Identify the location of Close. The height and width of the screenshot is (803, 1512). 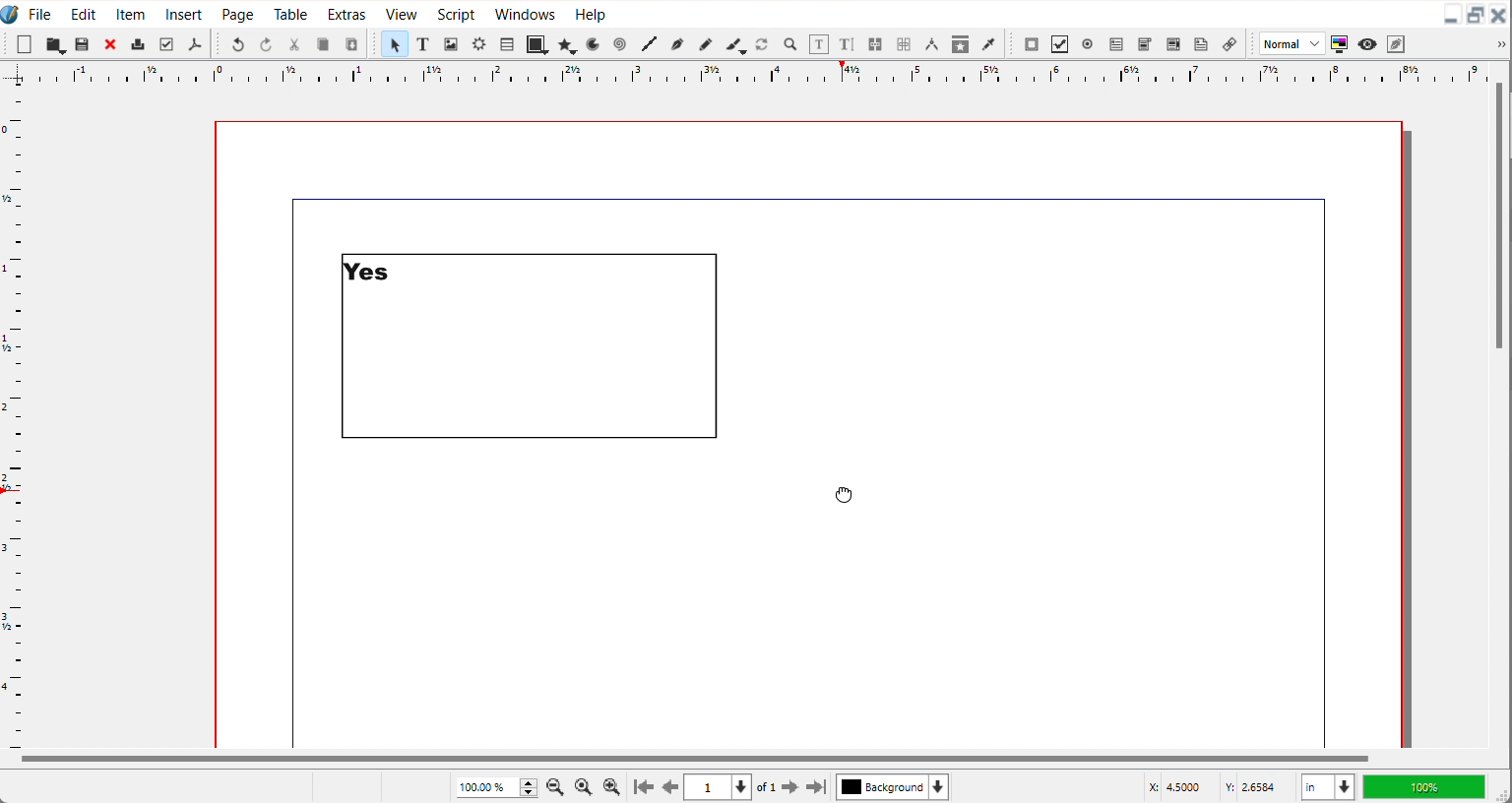
(111, 43).